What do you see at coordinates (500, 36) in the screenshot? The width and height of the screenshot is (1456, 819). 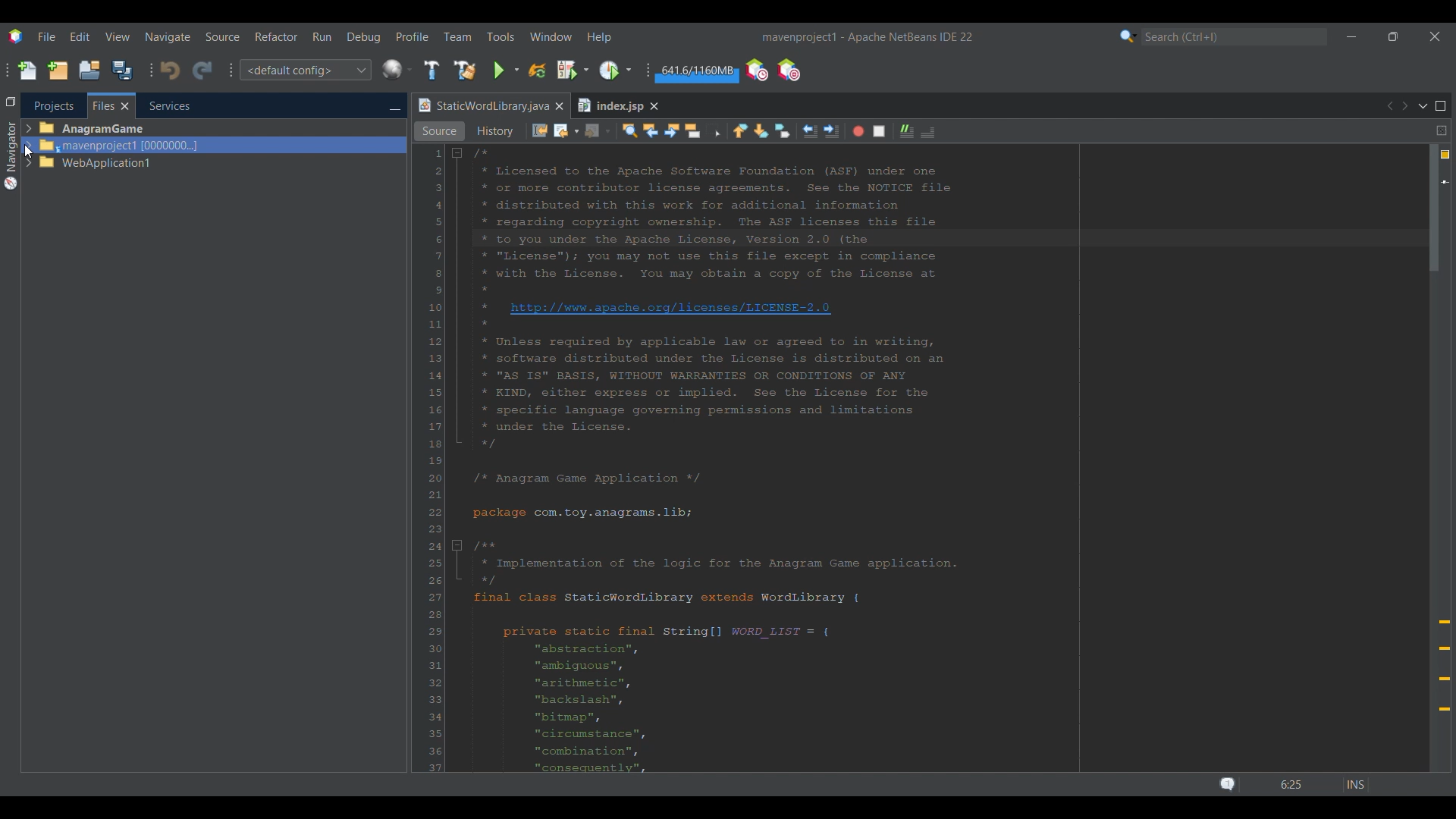 I see `Tools menu` at bounding box center [500, 36].